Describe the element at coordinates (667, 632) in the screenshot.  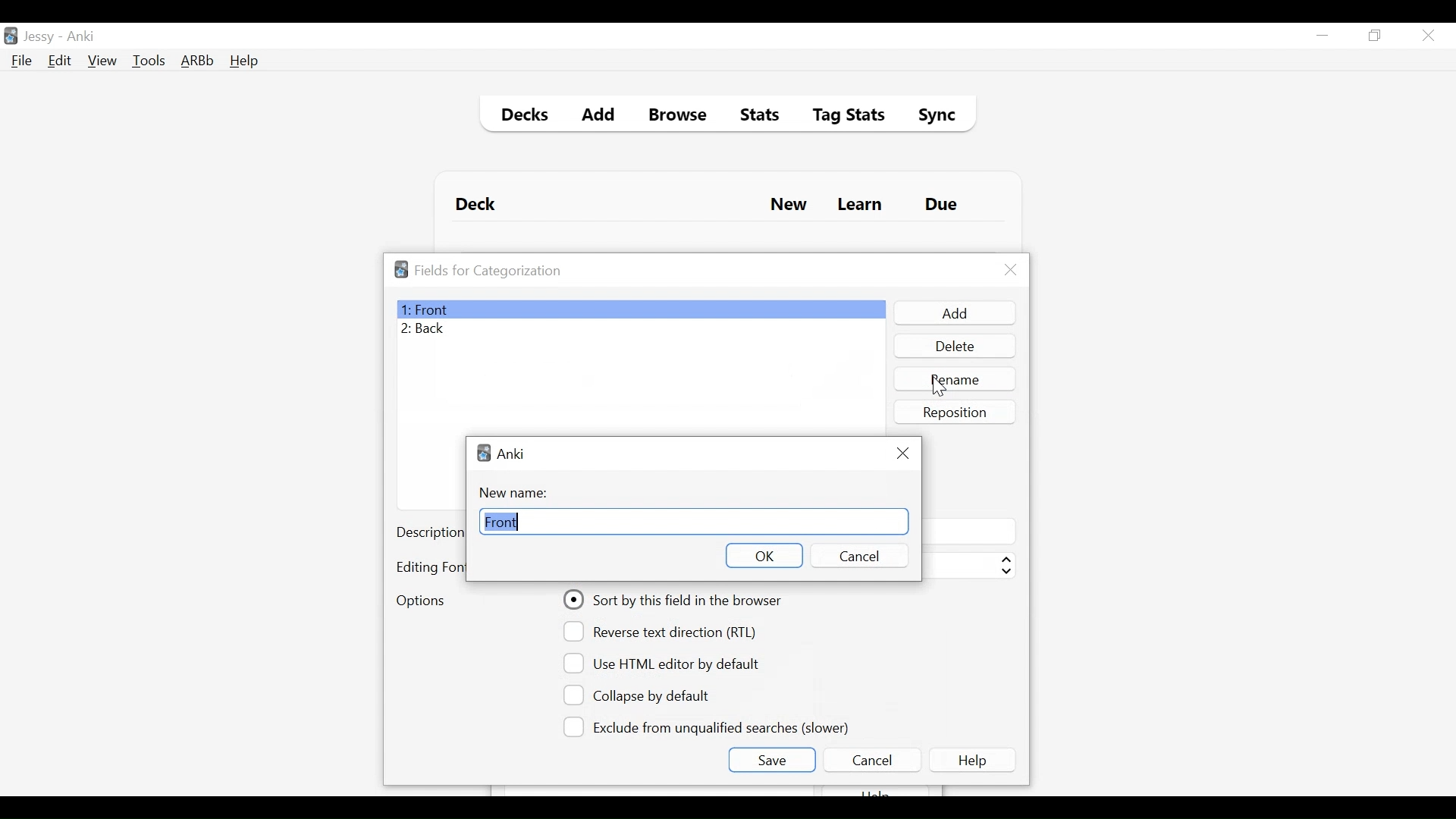
I see `(un)select RTL` at that location.